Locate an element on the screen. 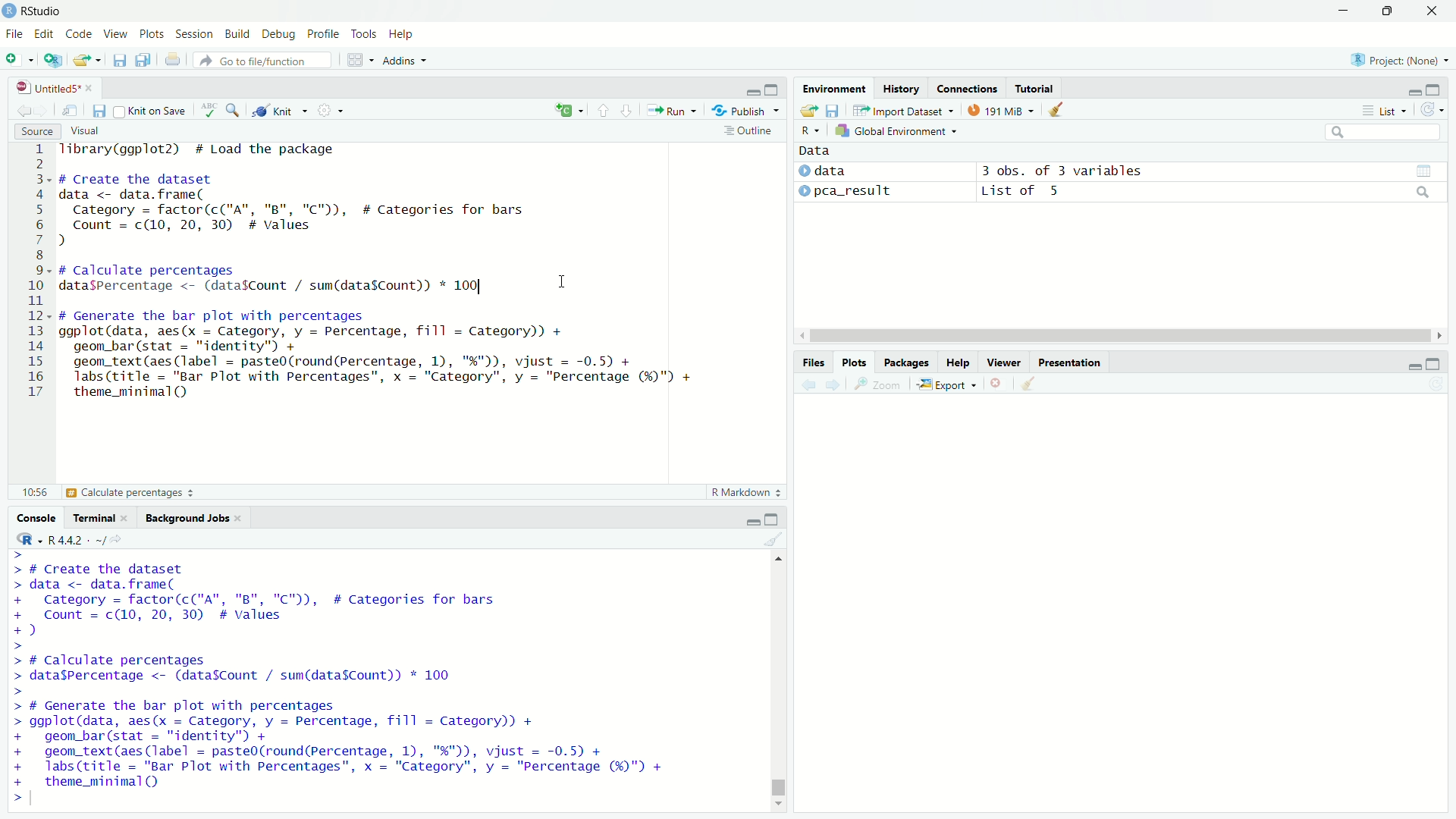 This screenshot has width=1456, height=819. help is located at coordinates (403, 35).